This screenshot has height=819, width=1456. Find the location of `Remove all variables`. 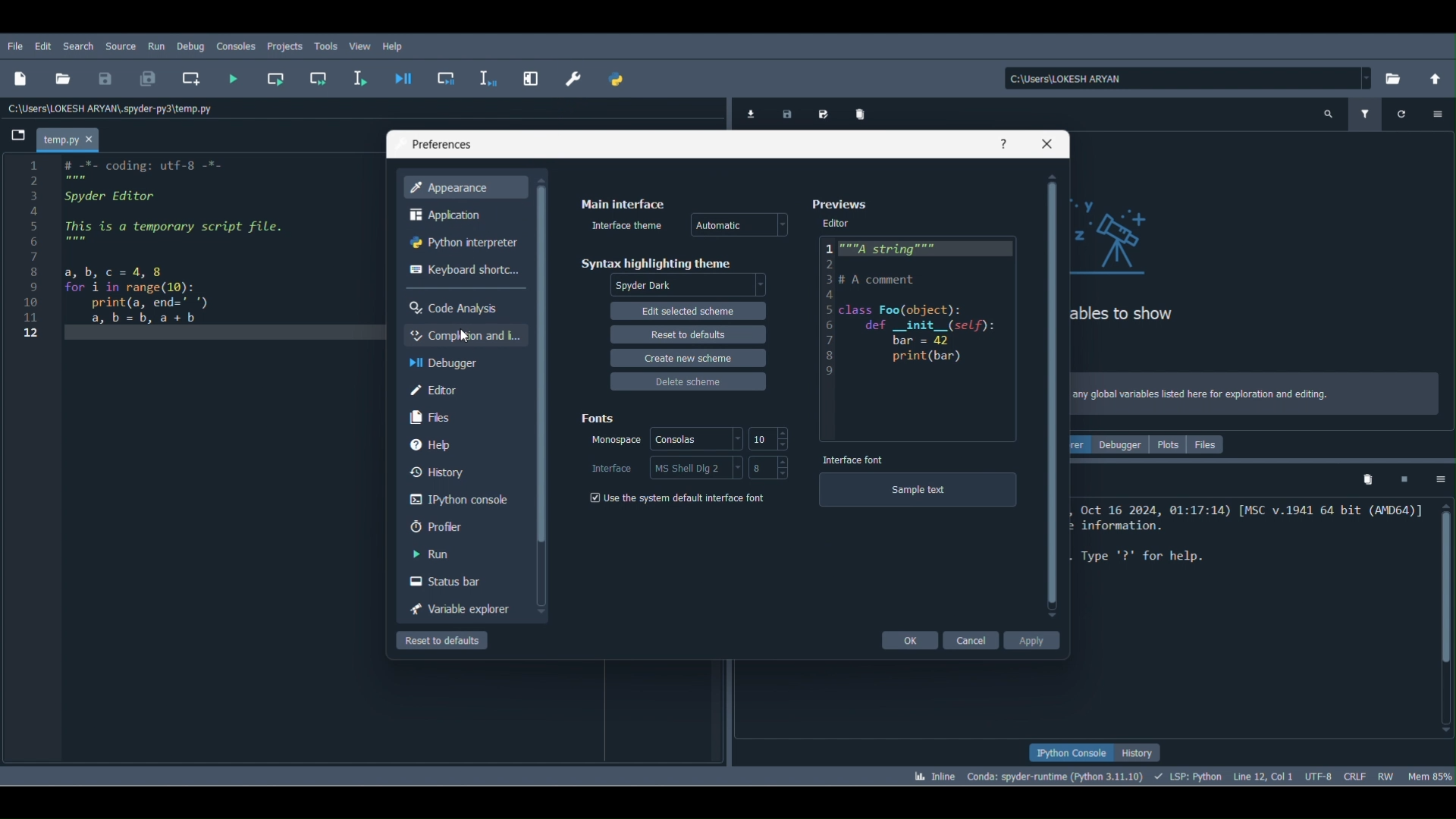

Remove all variables is located at coordinates (864, 114).